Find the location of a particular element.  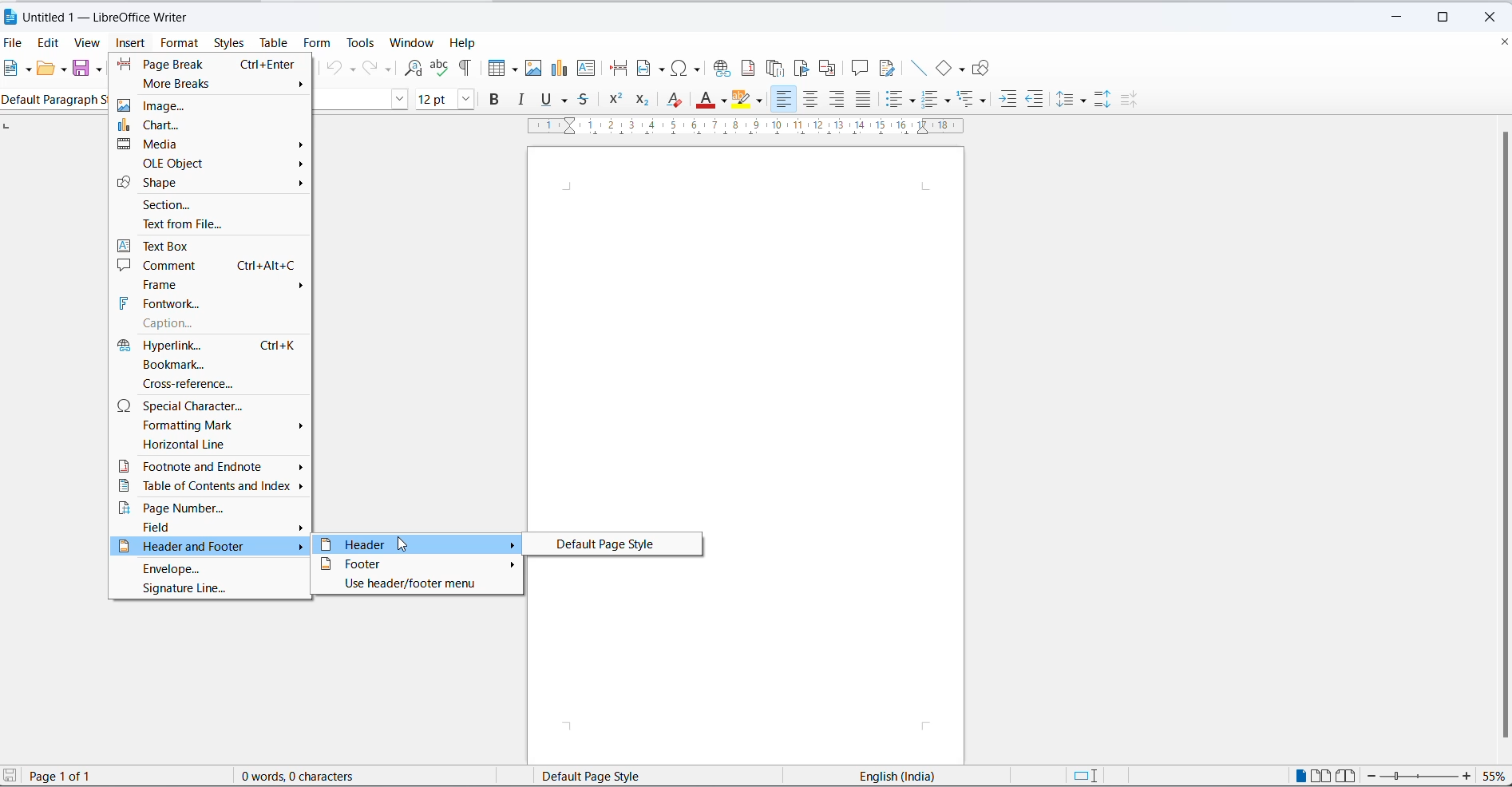

cursor is located at coordinates (400, 544).